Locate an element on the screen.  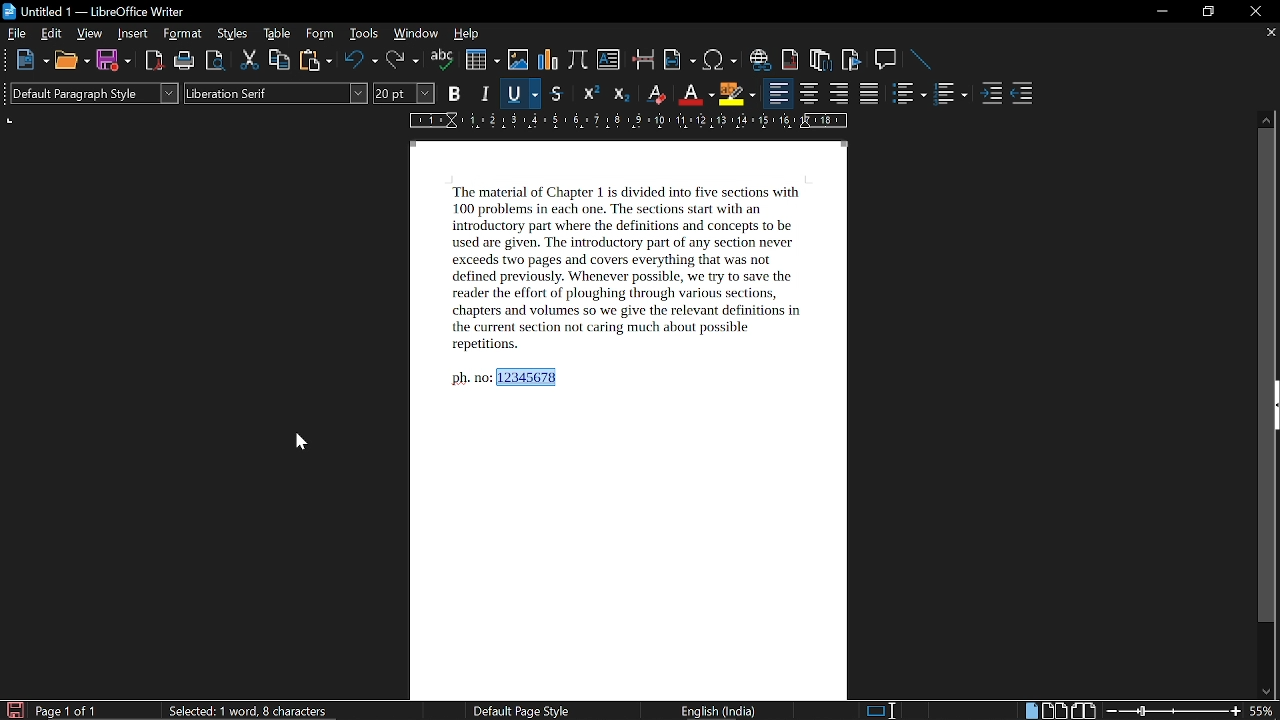
minimize is located at coordinates (1162, 12).